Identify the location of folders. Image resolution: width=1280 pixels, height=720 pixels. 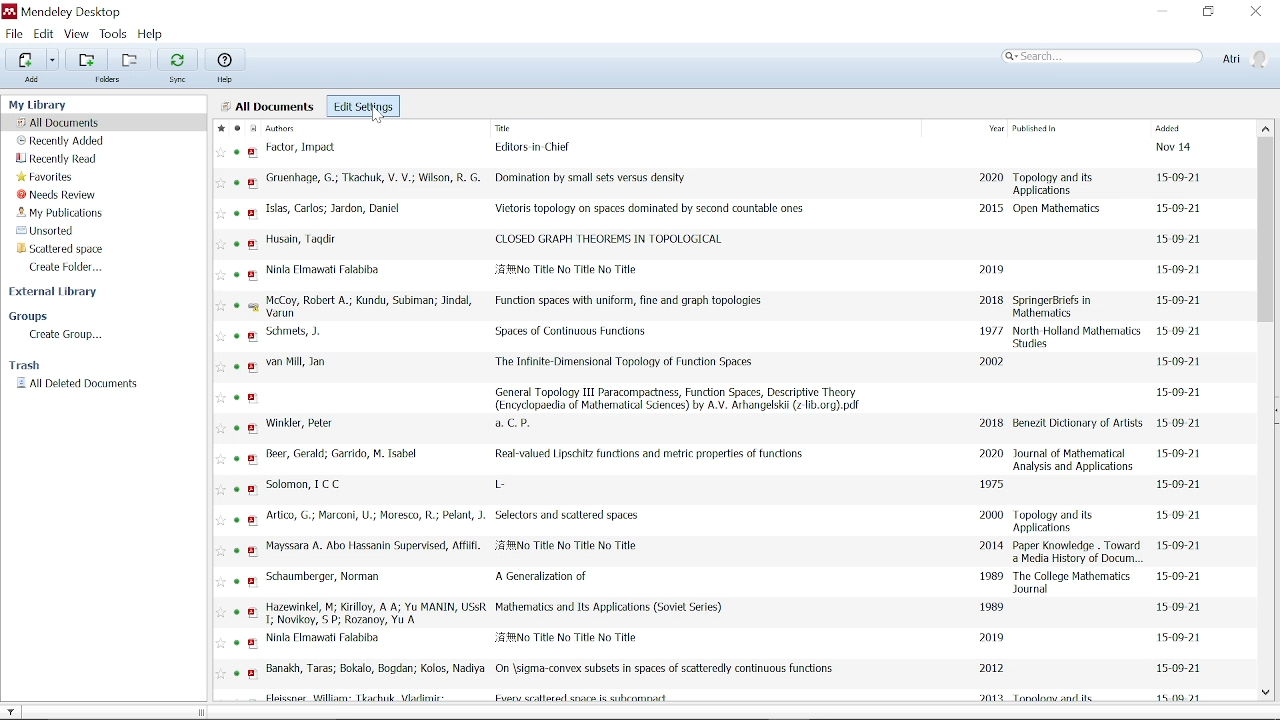
(110, 82).